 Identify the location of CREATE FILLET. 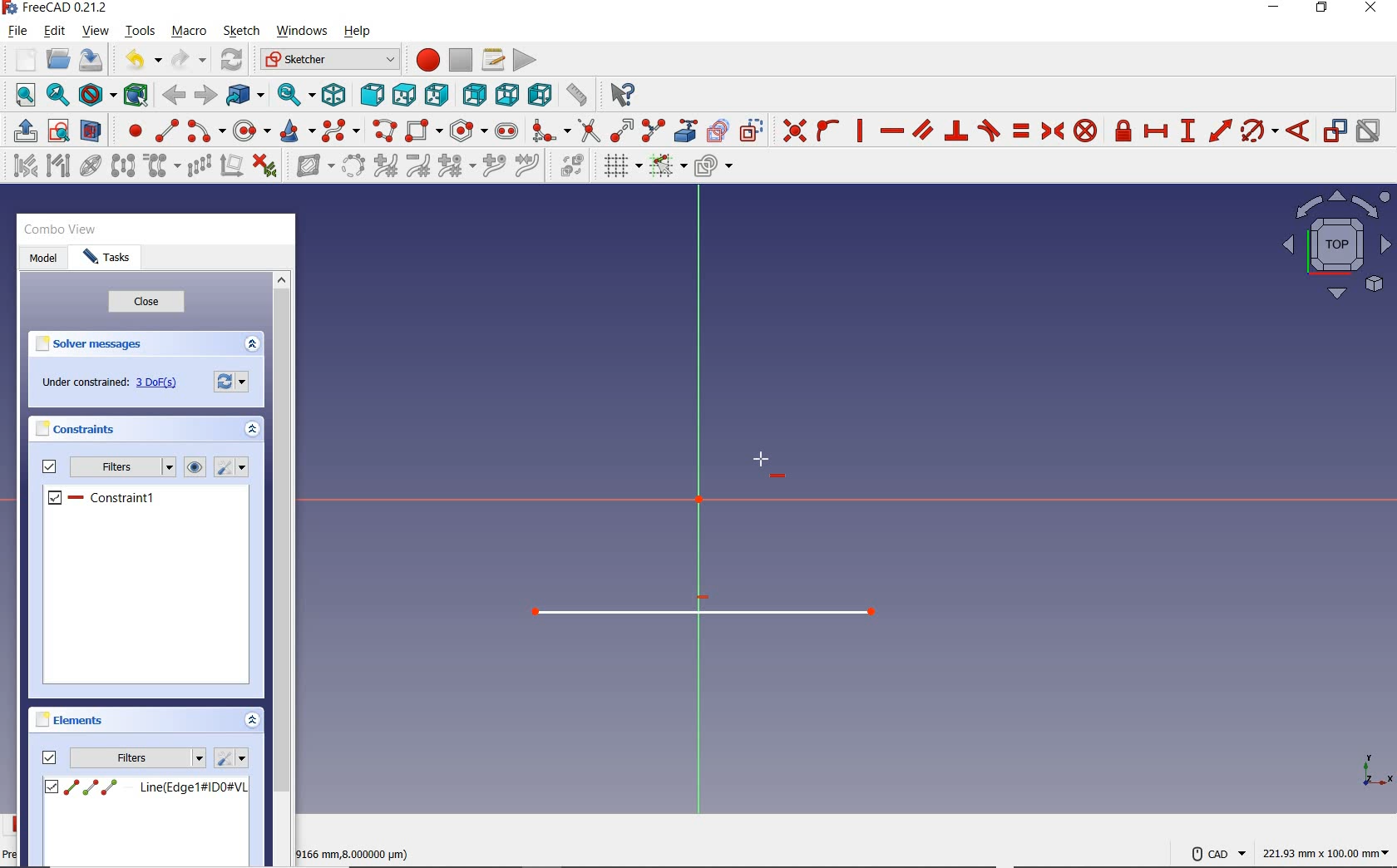
(550, 129).